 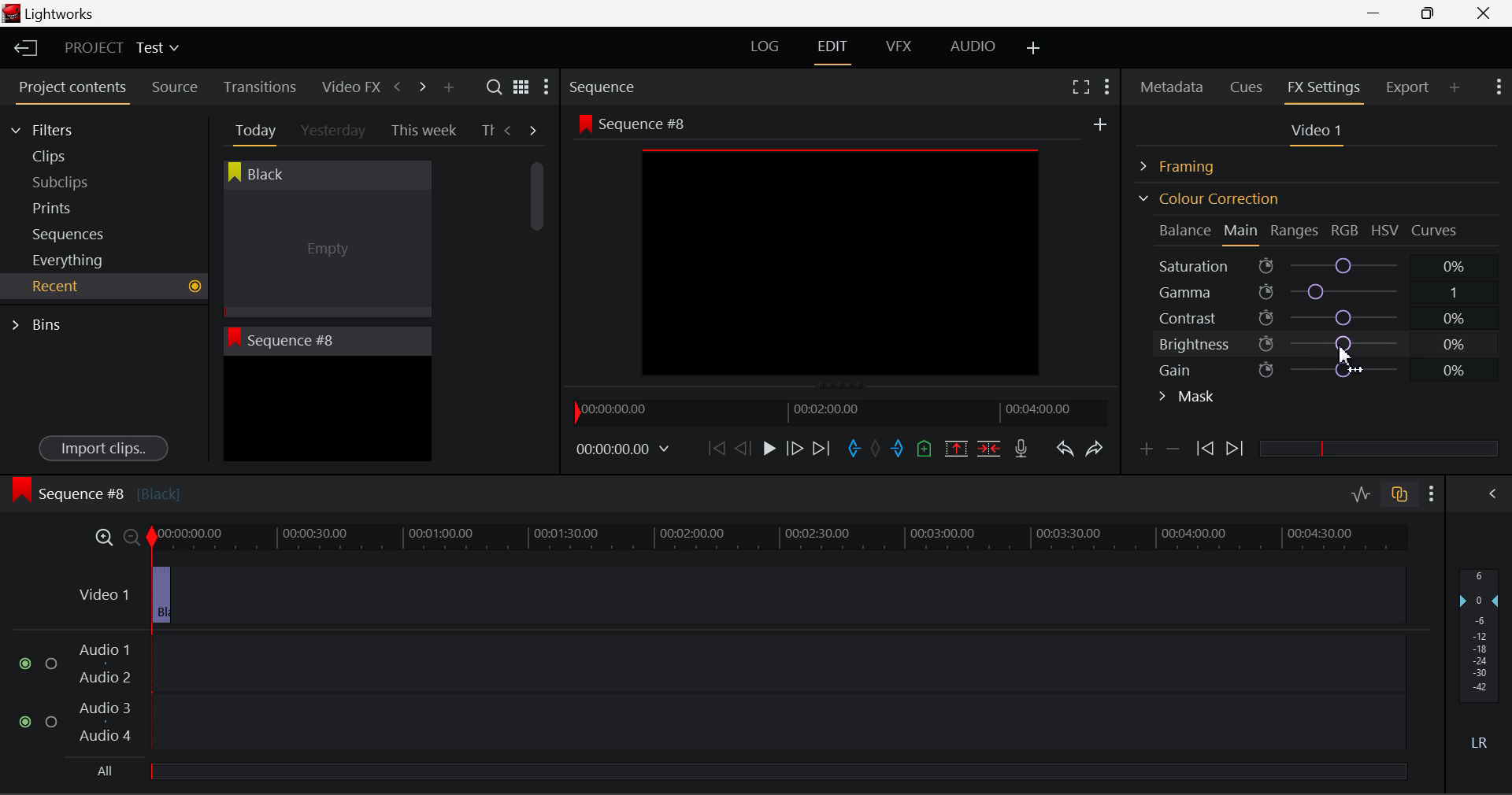 I want to click on Video FX, so click(x=346, y=87).